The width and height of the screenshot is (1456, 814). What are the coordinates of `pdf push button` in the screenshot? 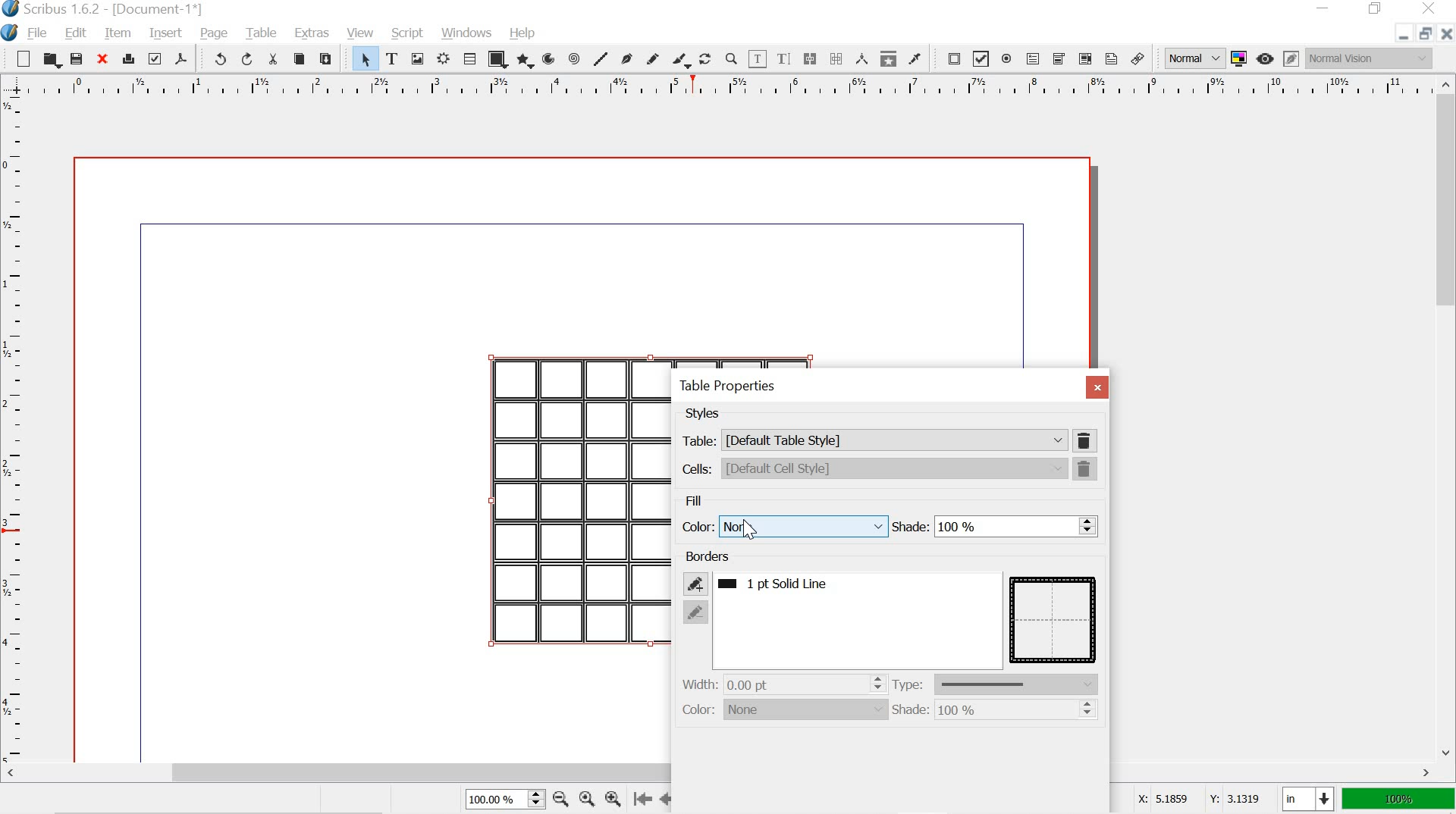 It's located at (950, 58).